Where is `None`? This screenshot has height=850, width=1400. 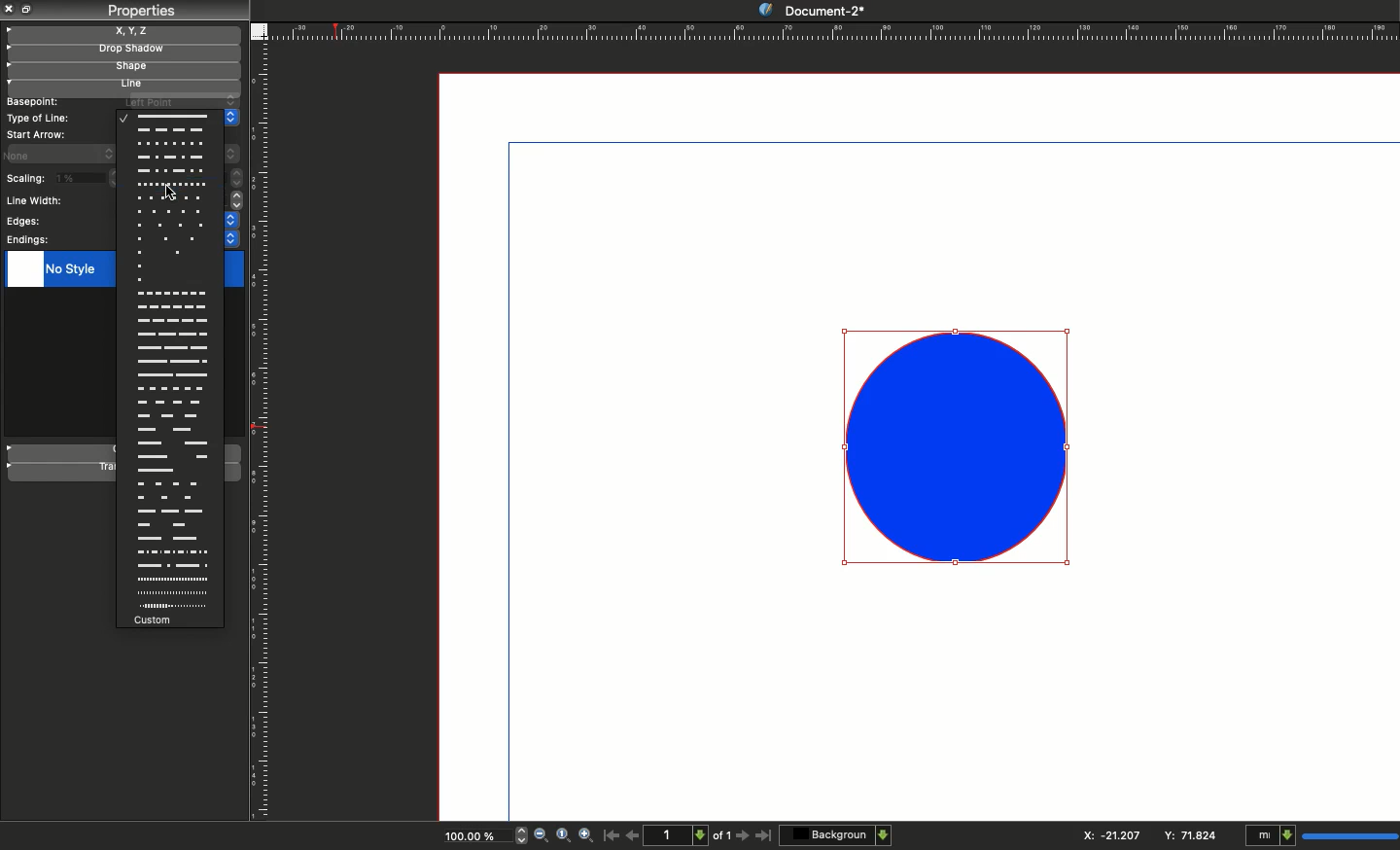 None is located at coordinates (49, 153).